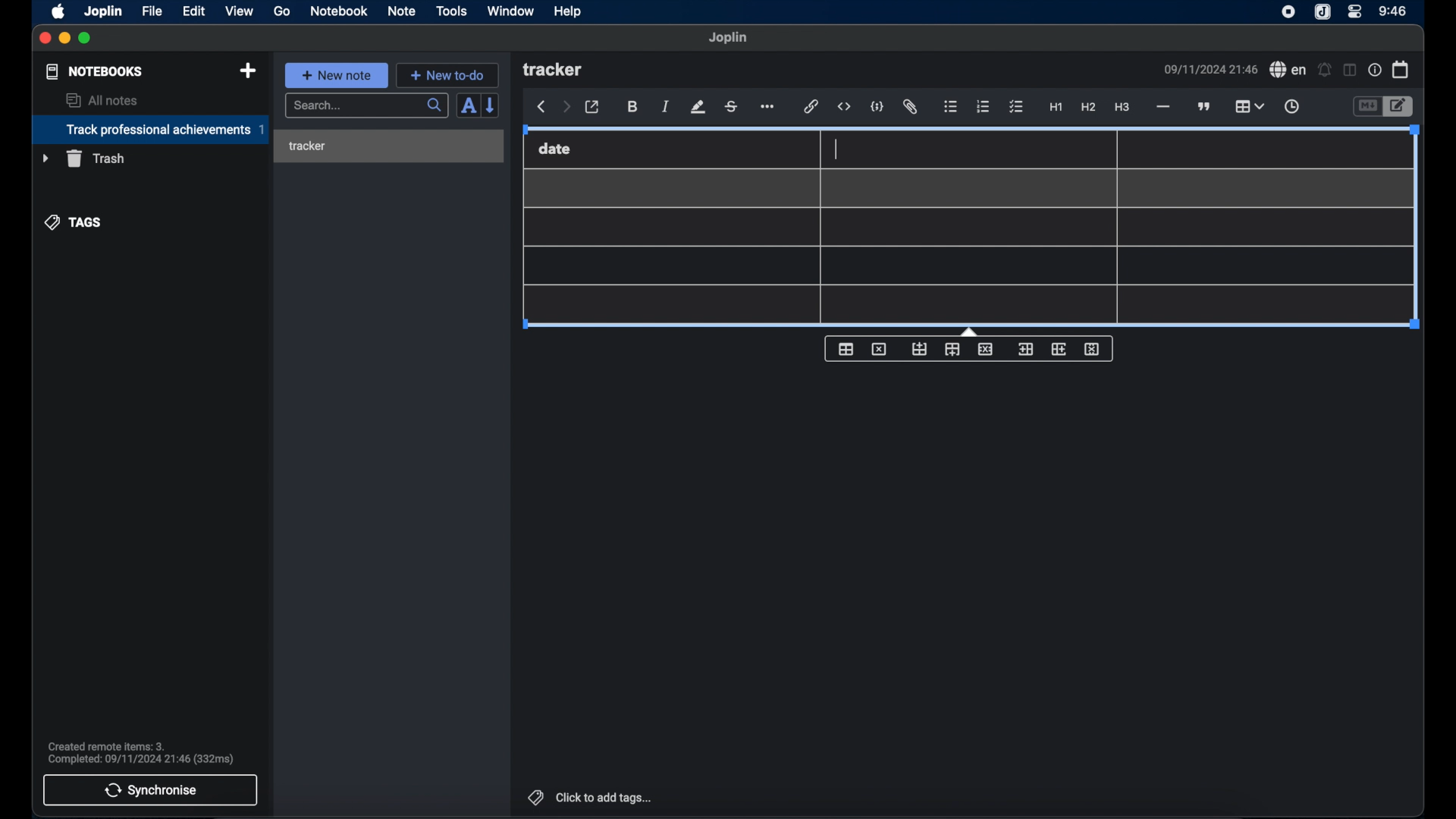 The height and width of the screenshot is (819, 1456). I want to click on tags, so click(74, 221).